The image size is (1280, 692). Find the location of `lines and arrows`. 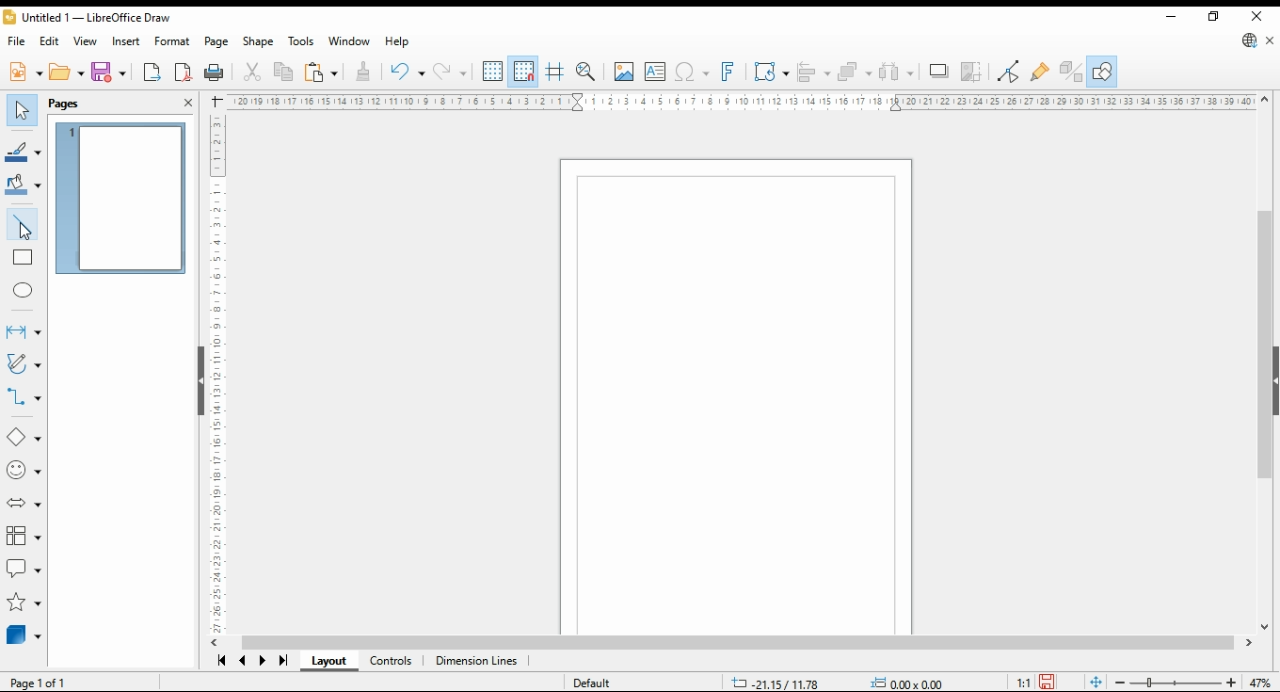

lines and arrows is located at coordinates (23, 331).